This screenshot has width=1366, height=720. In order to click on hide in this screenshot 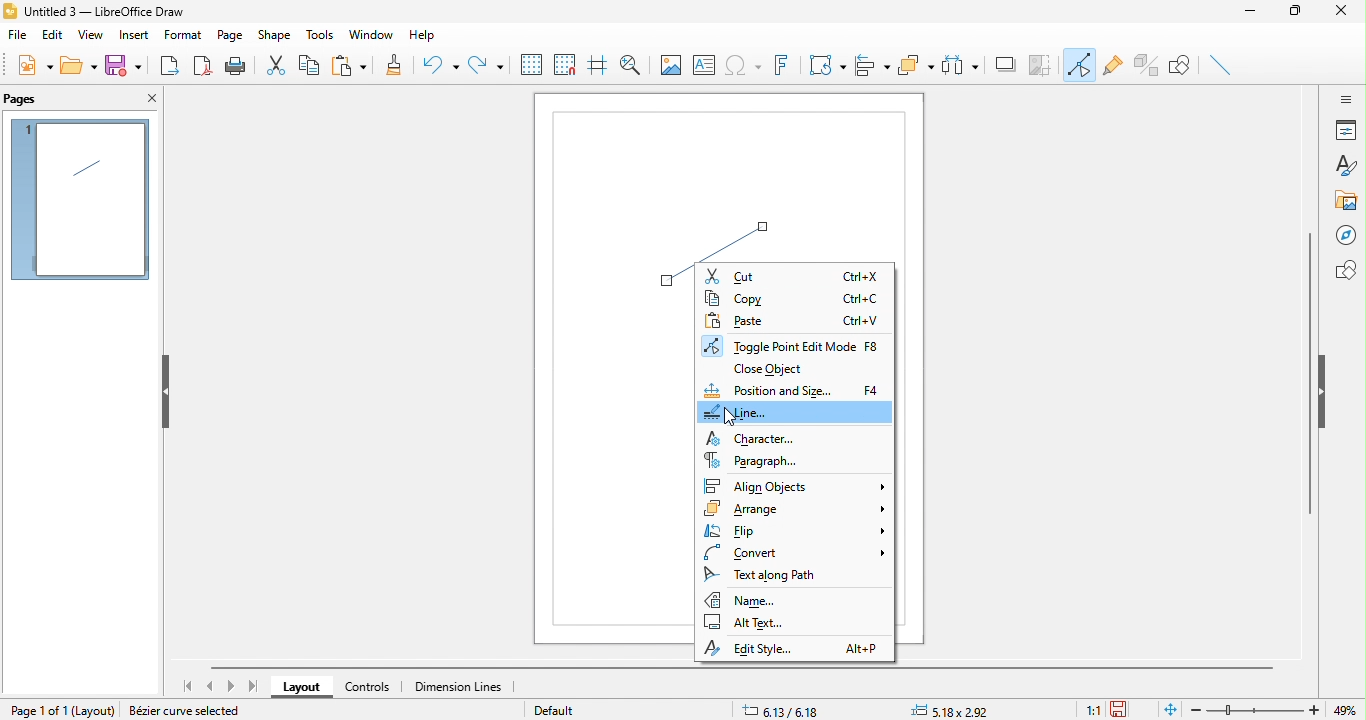, I will do `click(1325, 392)`.